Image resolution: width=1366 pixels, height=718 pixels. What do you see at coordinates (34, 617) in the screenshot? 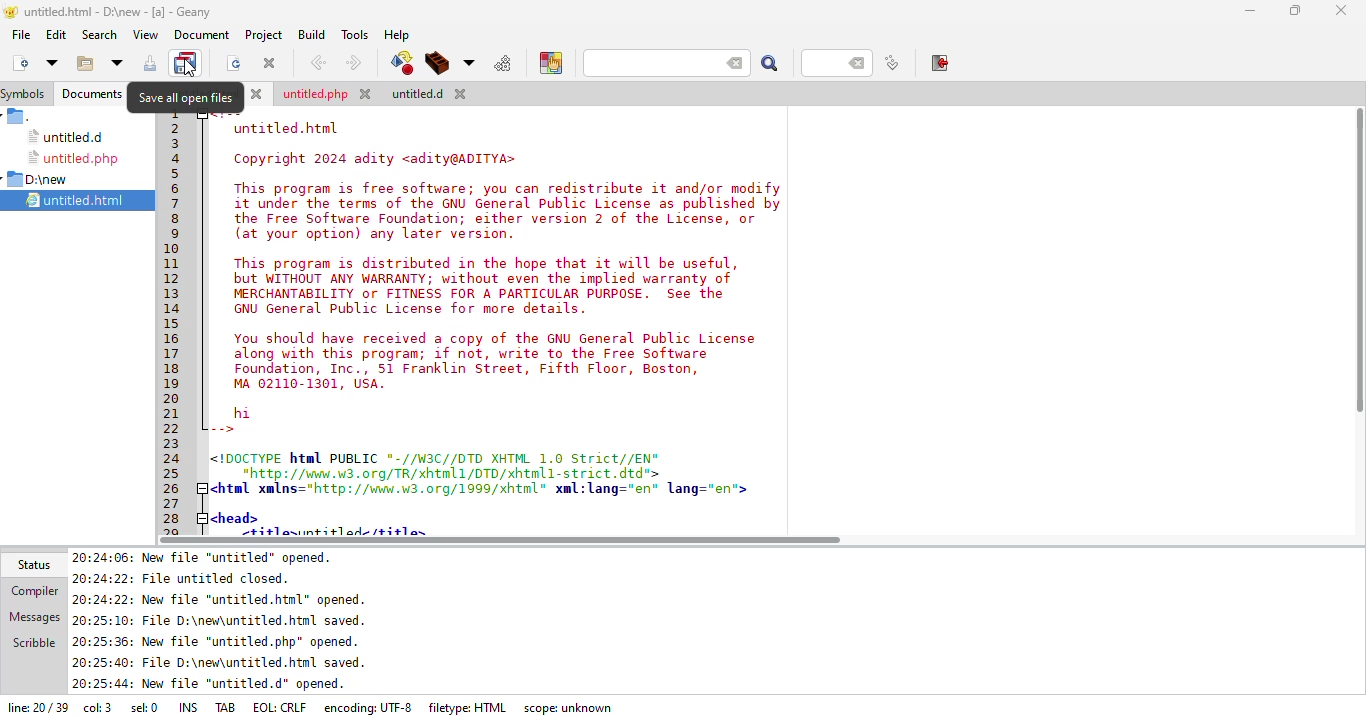
I see `messages` at bounding box center [34, 617].